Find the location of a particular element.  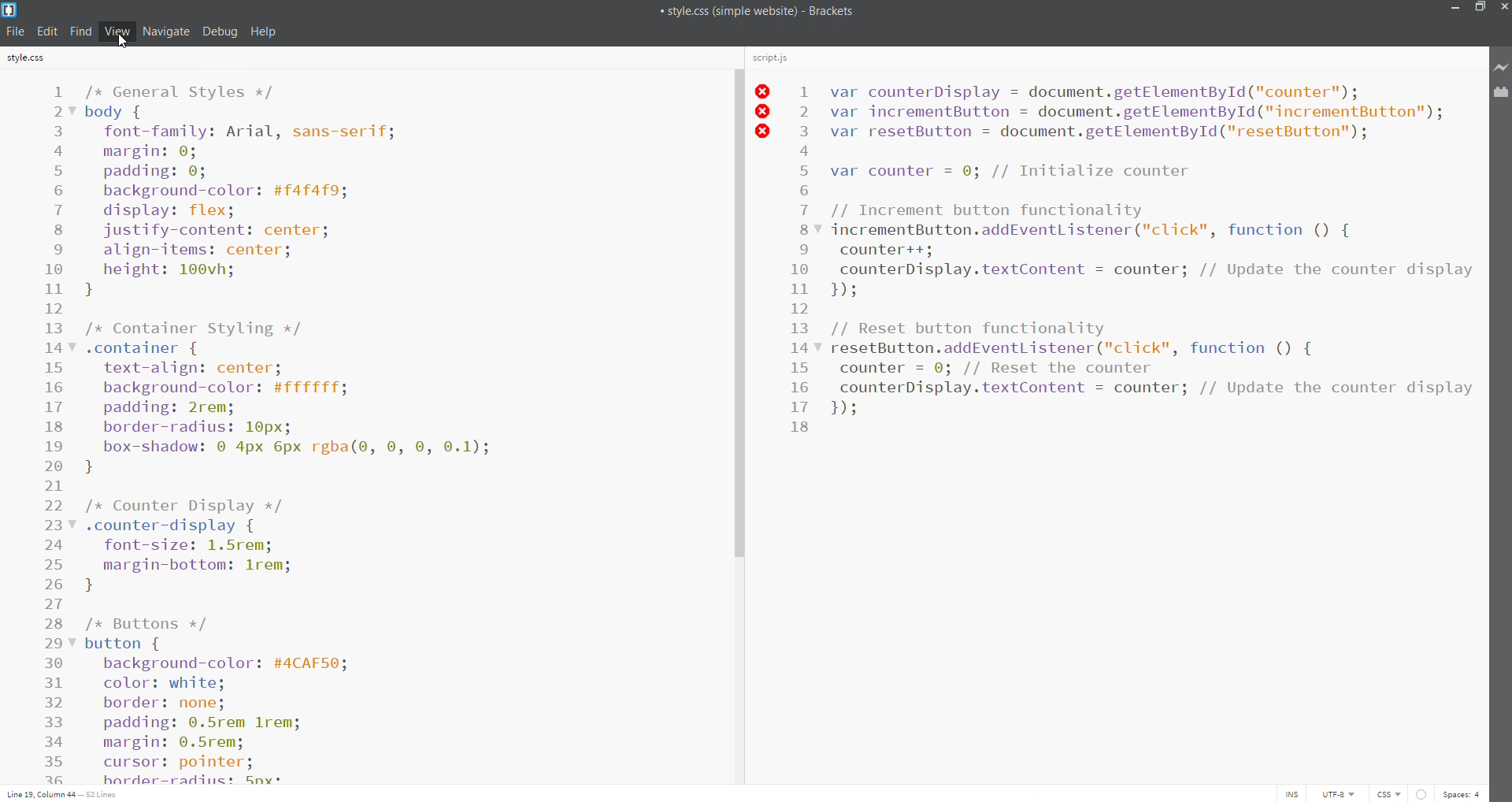

error is located at coordinates (1420, 793).